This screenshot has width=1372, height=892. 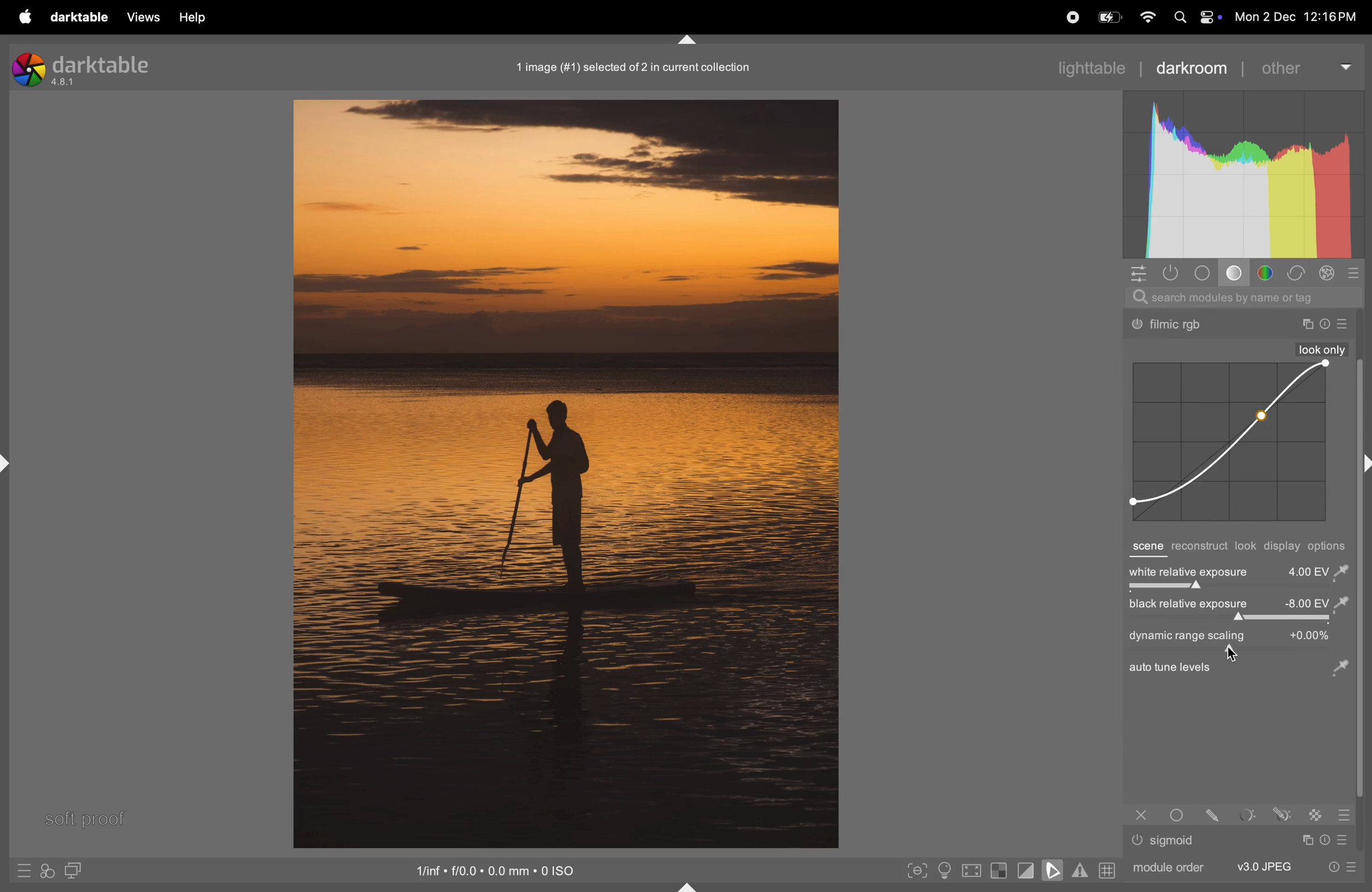 What do you see at coordinates (1173, 273) in the screenshot?
I see `show active modules only` at bounding box center [1173, 273].